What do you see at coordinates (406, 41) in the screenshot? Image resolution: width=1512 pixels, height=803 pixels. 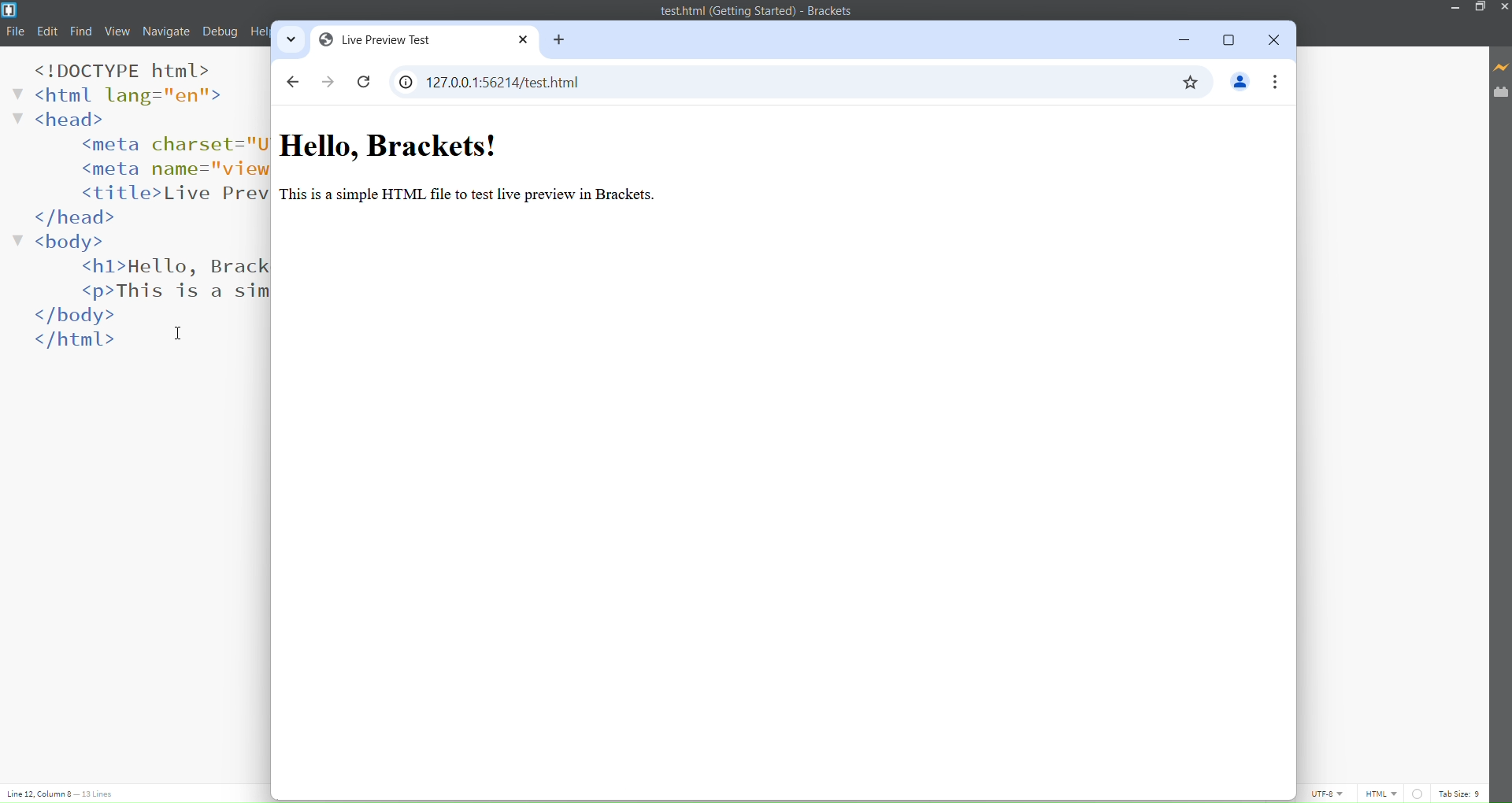 I see `Current Tab Name` at bounding box center [406, 41].